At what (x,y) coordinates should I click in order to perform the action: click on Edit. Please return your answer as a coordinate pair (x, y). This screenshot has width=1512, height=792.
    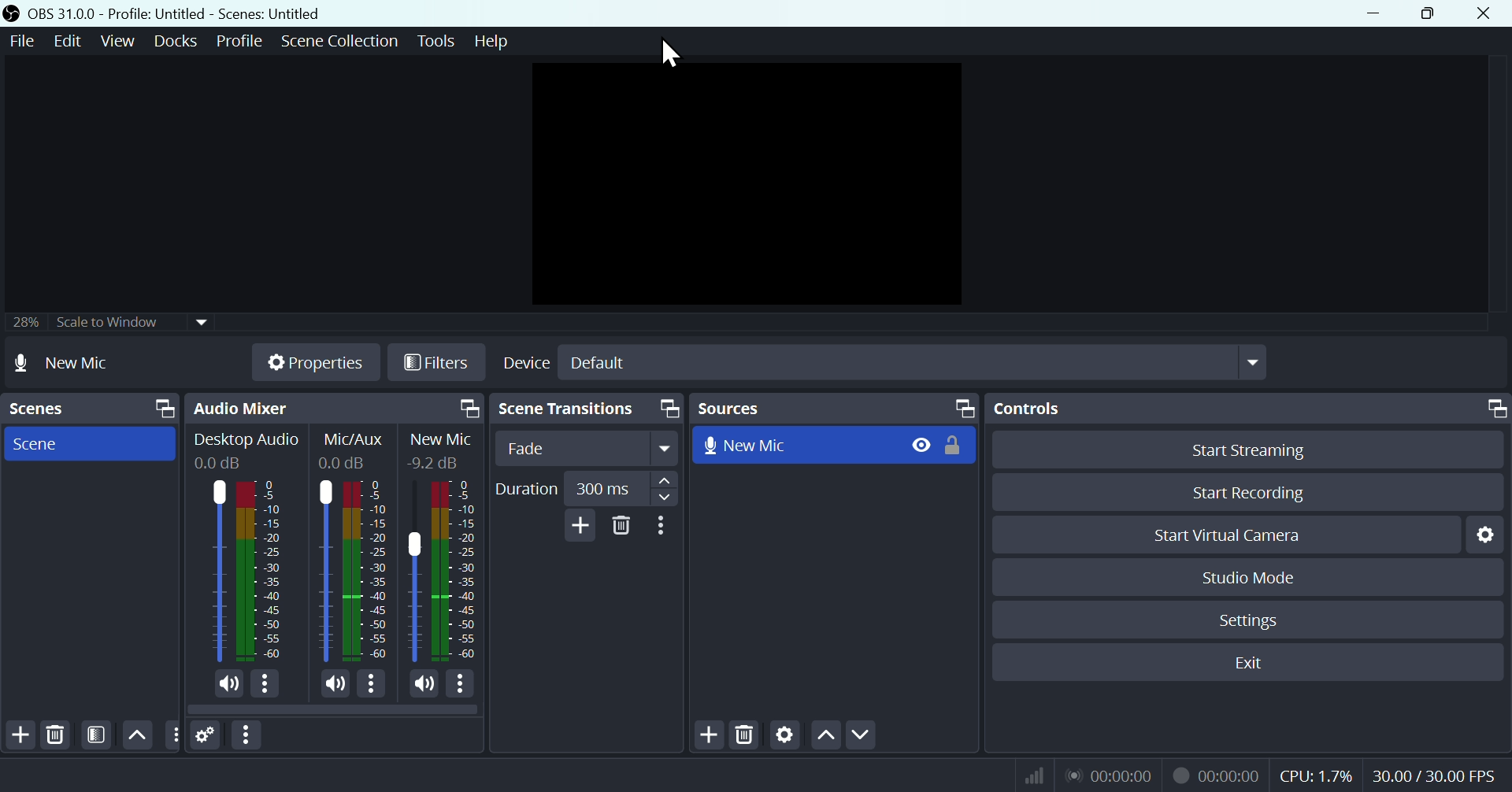
    Looking at the image, I should click on (65, 41).